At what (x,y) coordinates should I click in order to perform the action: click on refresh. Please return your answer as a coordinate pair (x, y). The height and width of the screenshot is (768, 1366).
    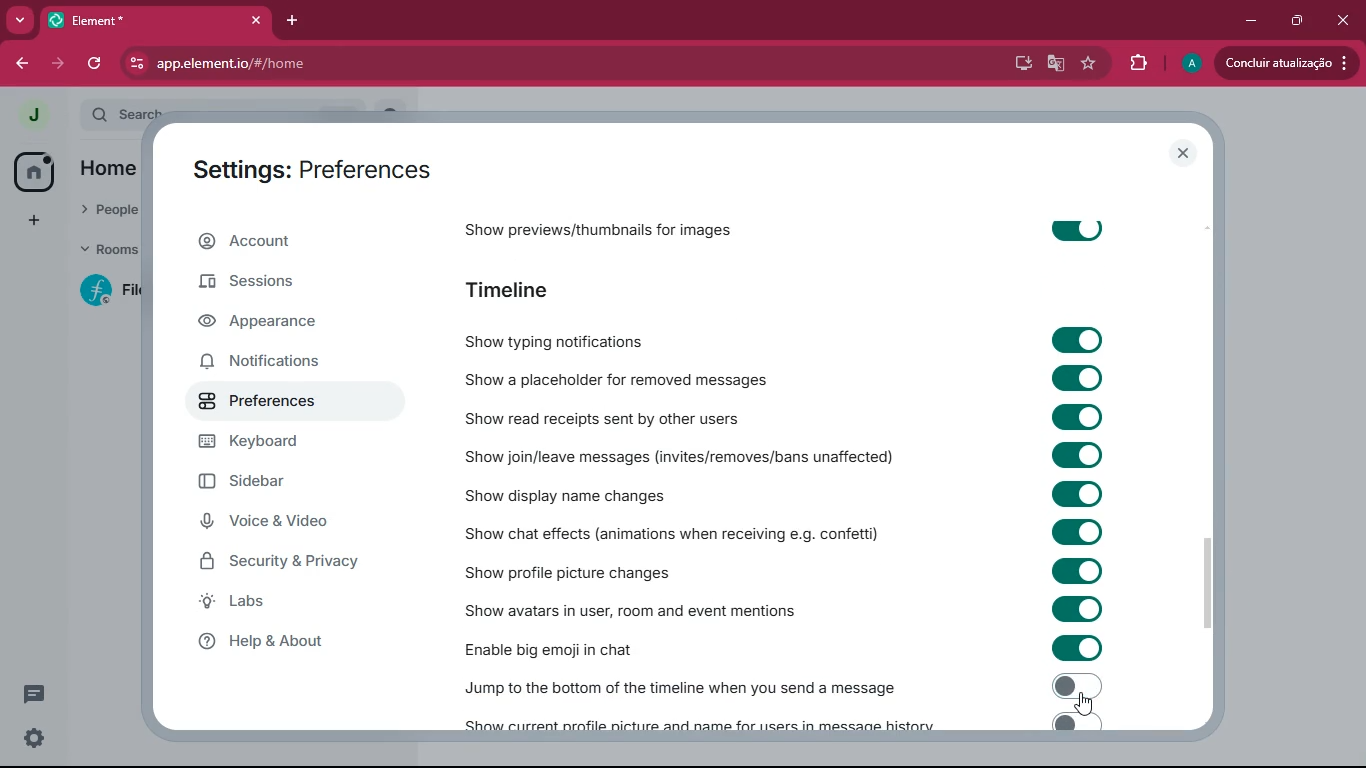
    Looking at the image, I should click on (92, 65).